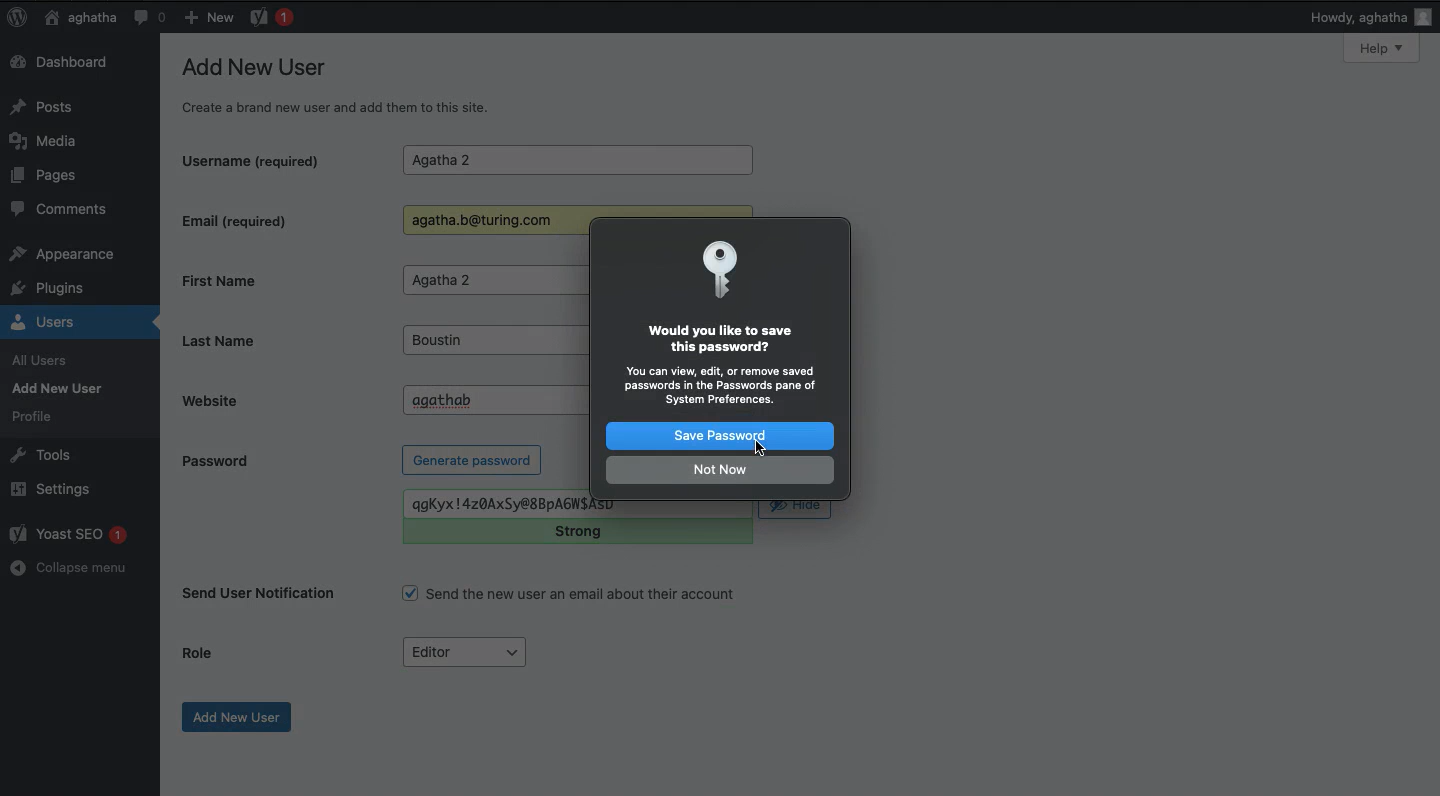  I want to click on plugins, so click(58, 289).